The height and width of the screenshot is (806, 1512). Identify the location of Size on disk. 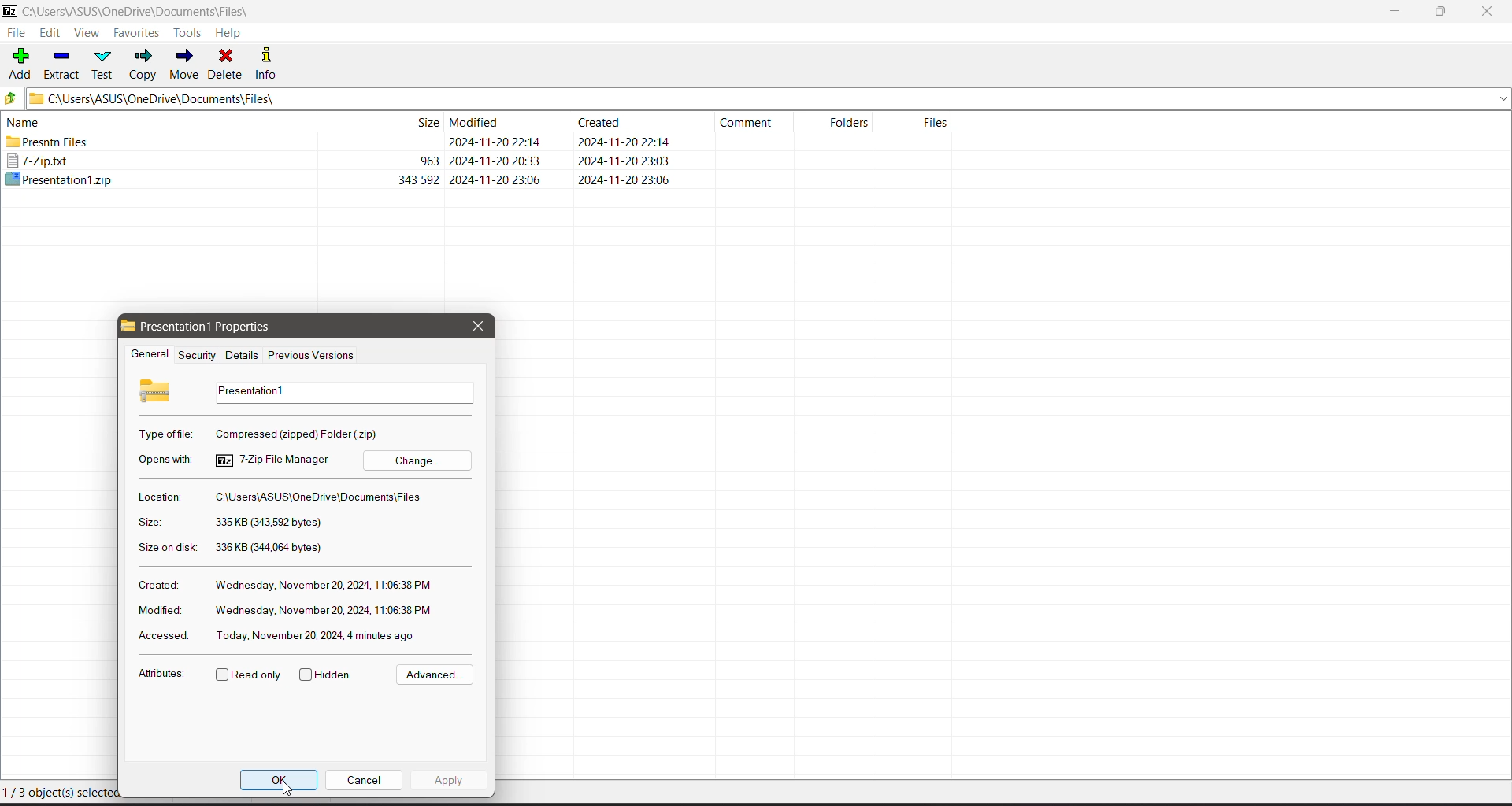
(168, 549).